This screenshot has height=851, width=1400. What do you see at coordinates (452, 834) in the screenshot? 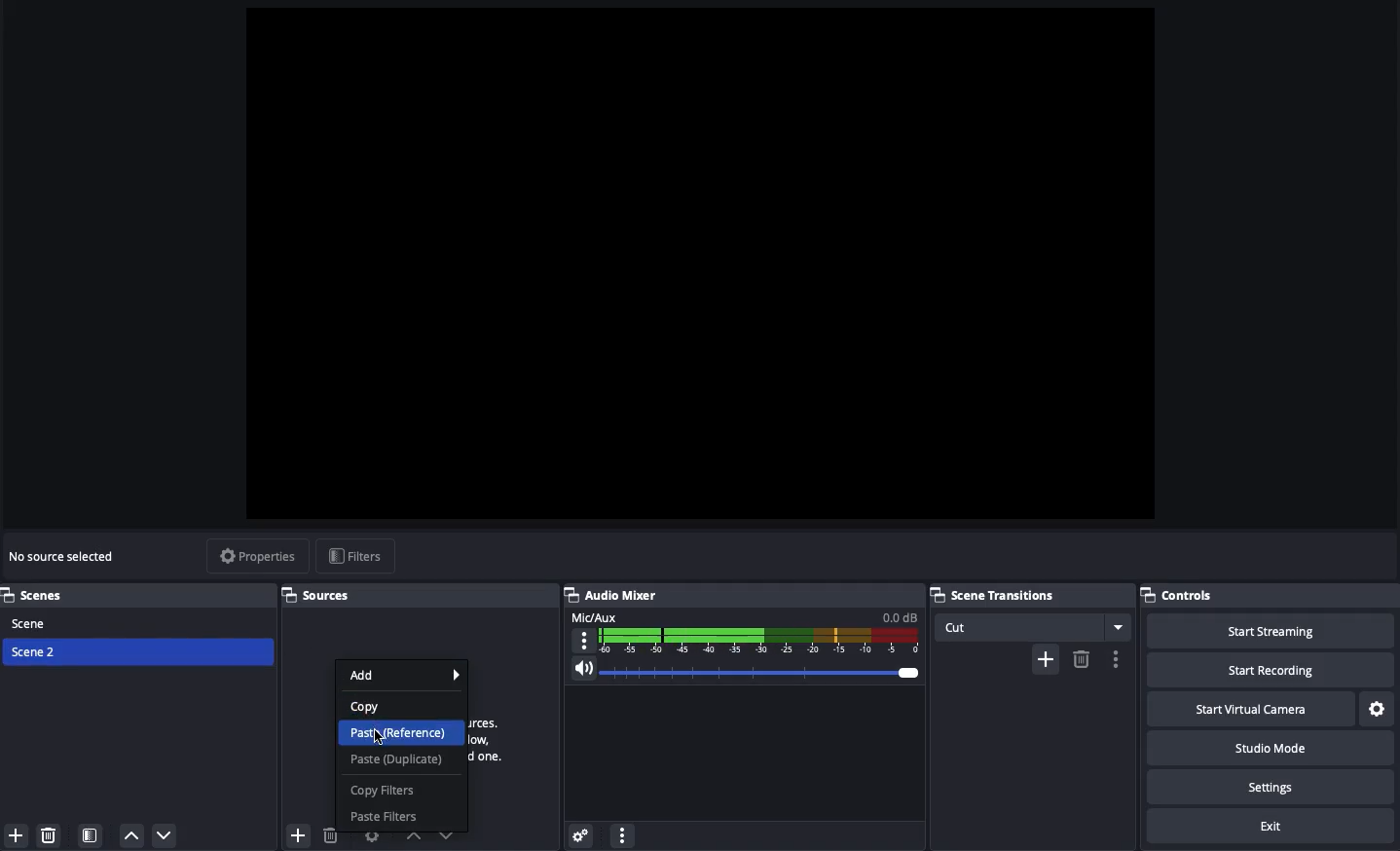
I see `next` at bounding box center [452, 834].